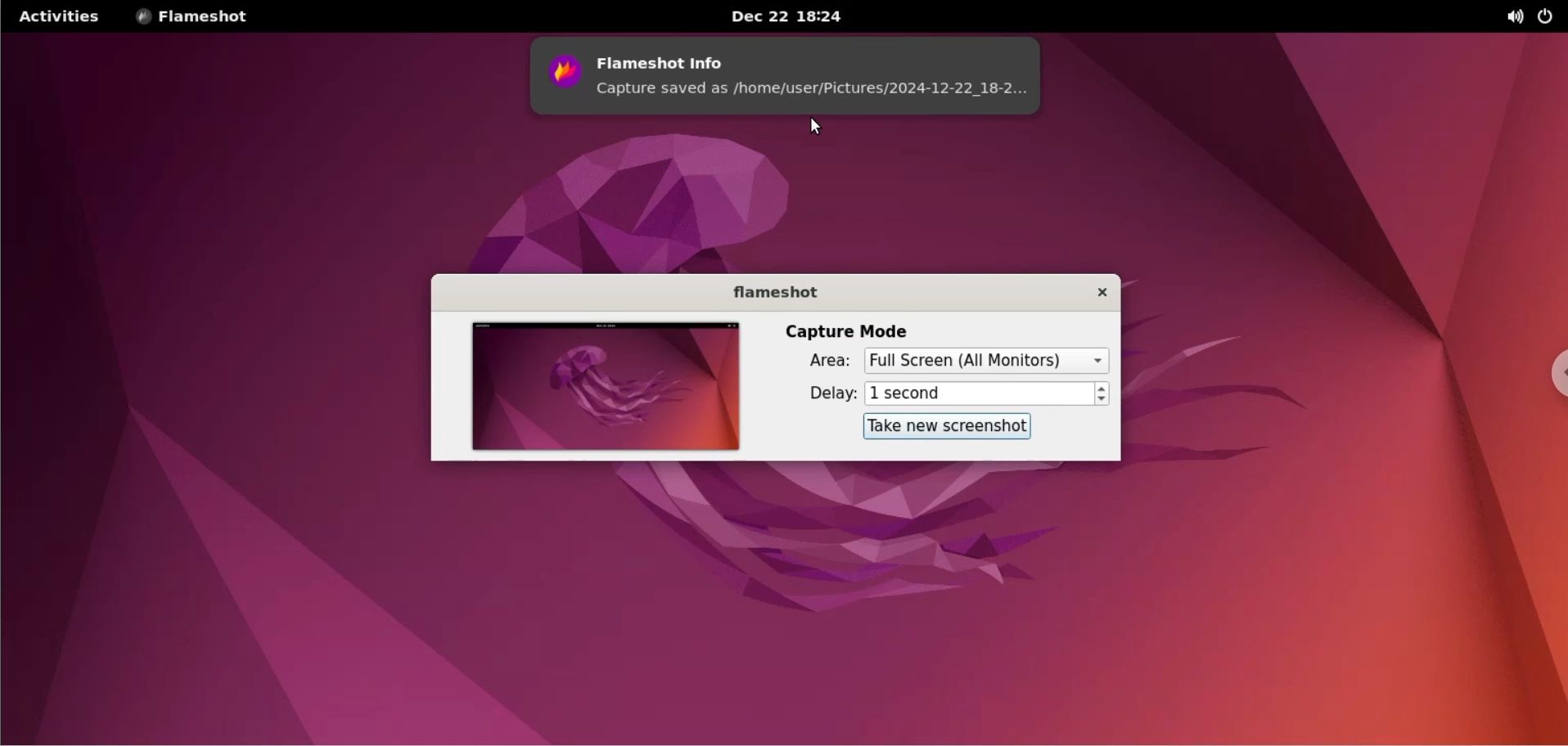 This screenshot has height=746, width=1568. I want to click on sound options, so click(1507, 17).